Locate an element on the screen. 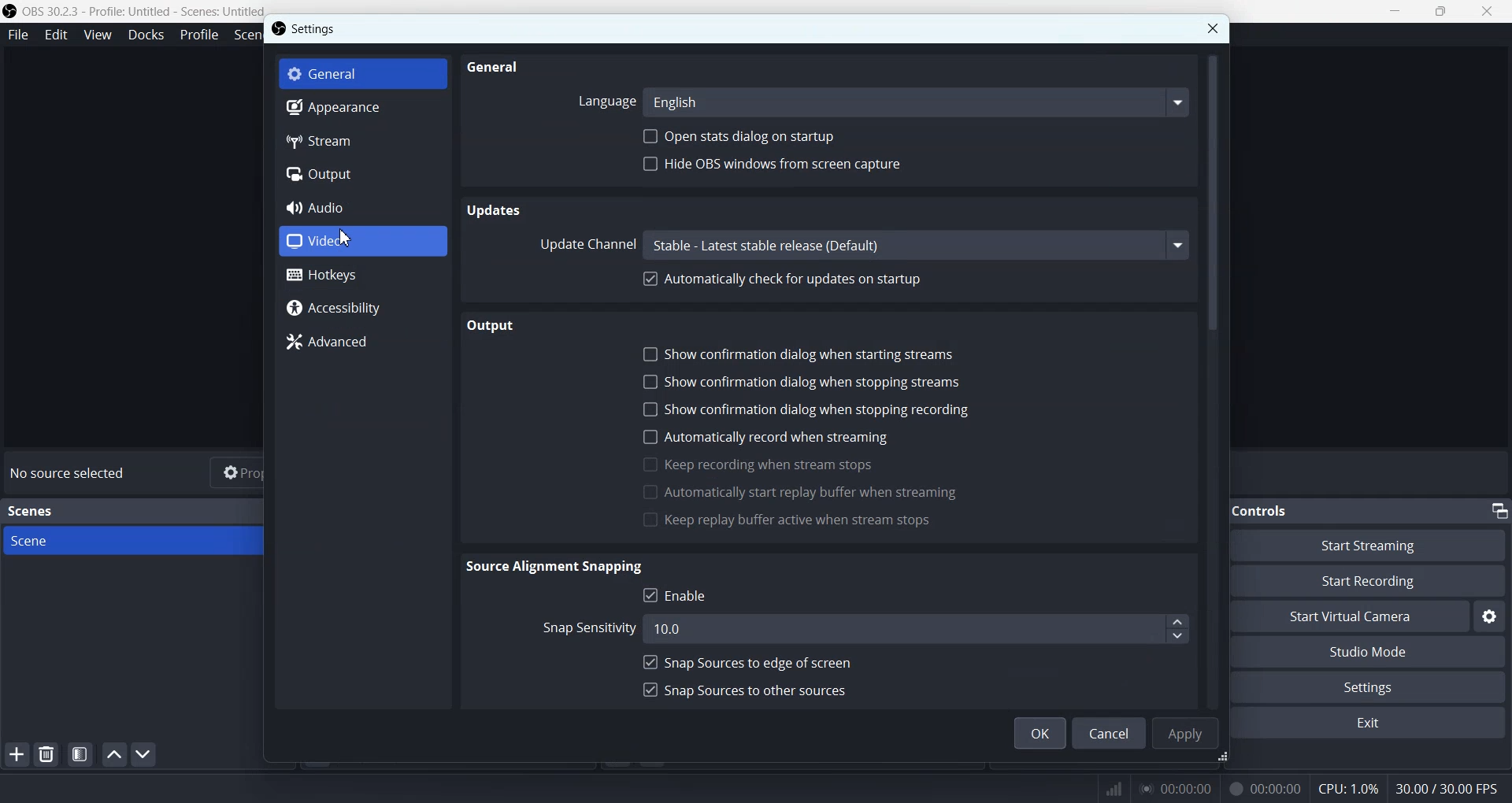  CPU is located at coordinates (1349, 790).